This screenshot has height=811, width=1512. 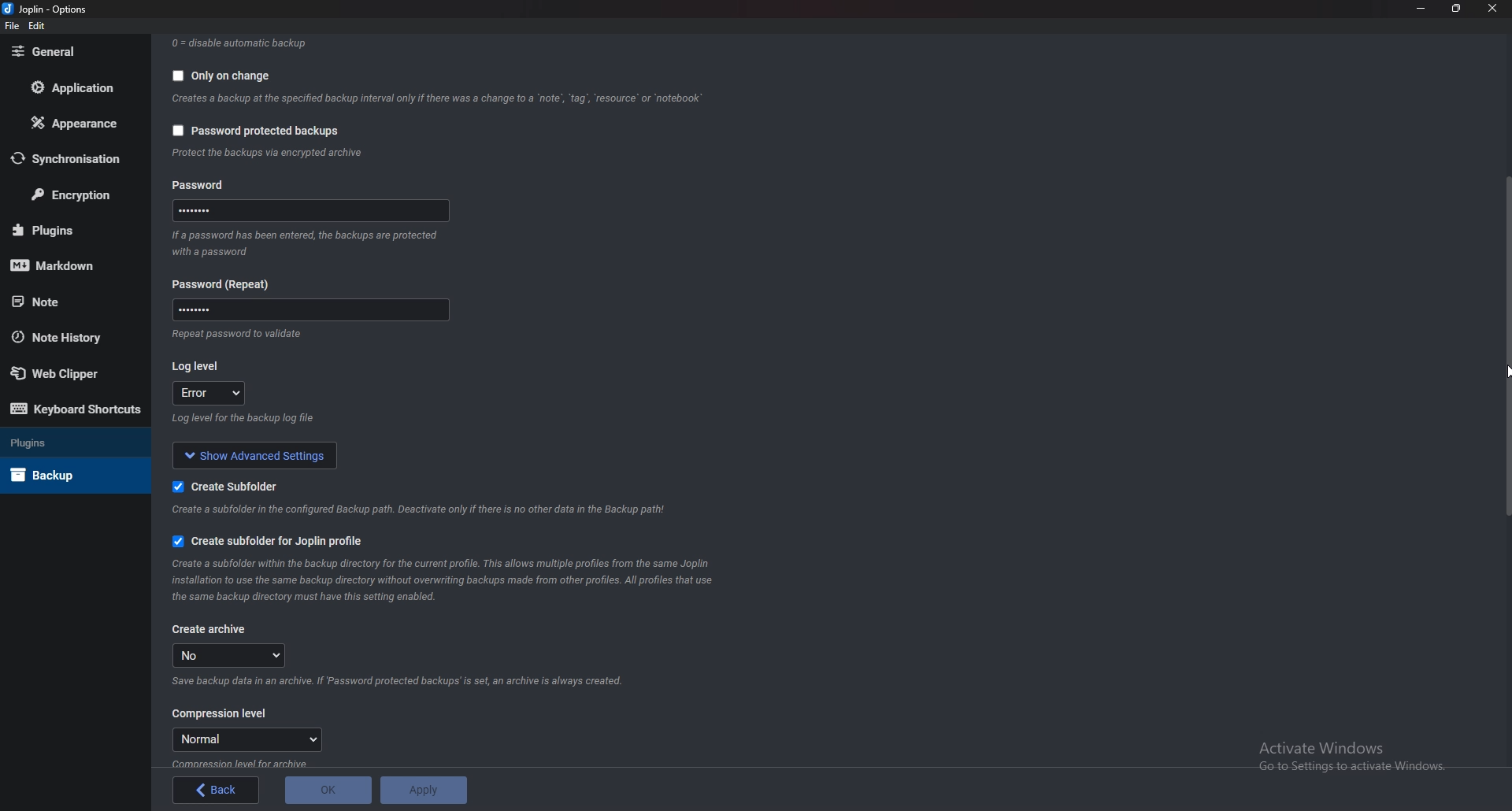 What do you see at coordinates (271, 541) in the screenshot?
I see `create subfolder for Joplin profile` at bounding box center [271, 541].